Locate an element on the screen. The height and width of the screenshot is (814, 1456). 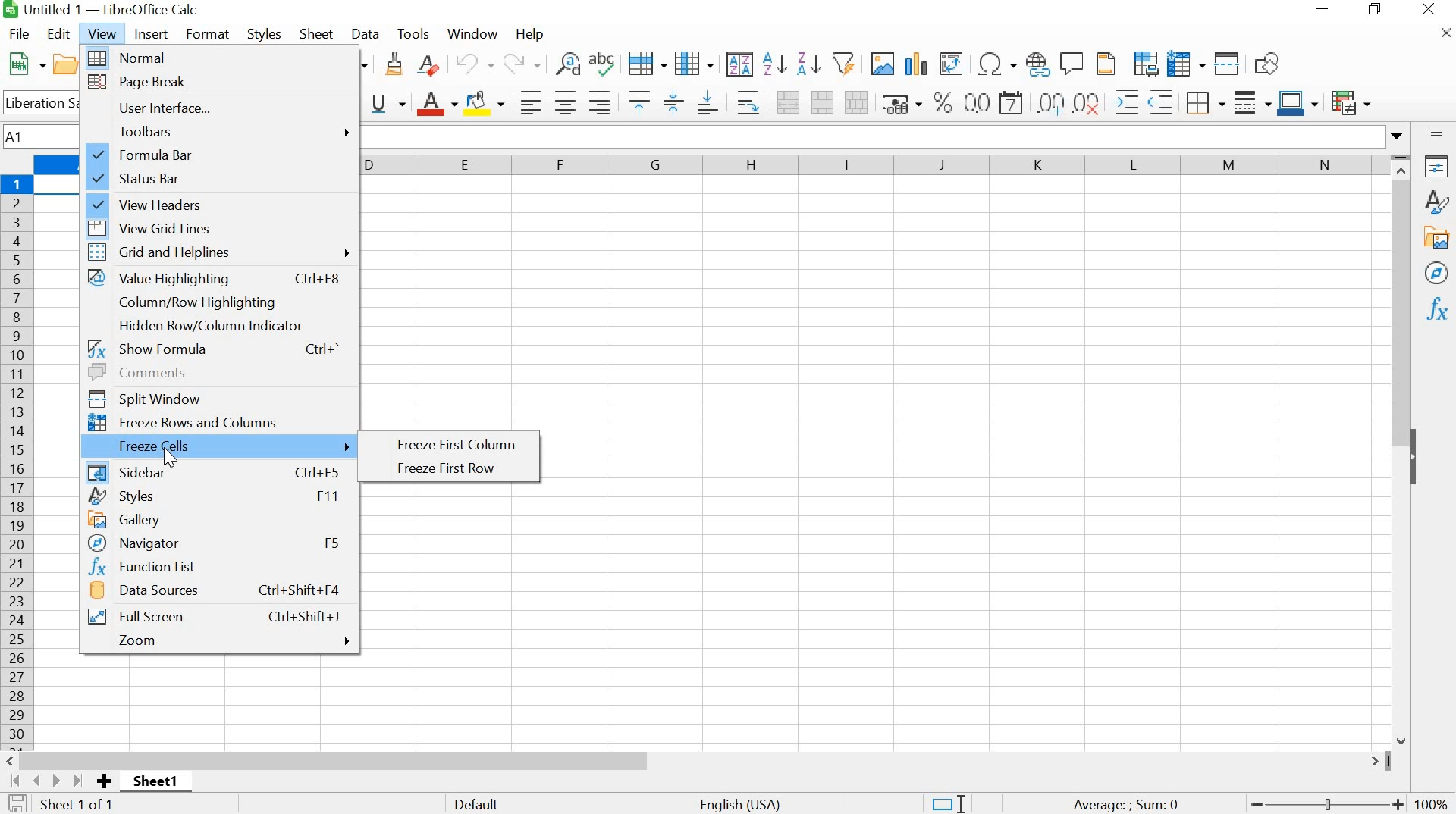
INCREASE INDENT is located at coordinates (1147, 99).